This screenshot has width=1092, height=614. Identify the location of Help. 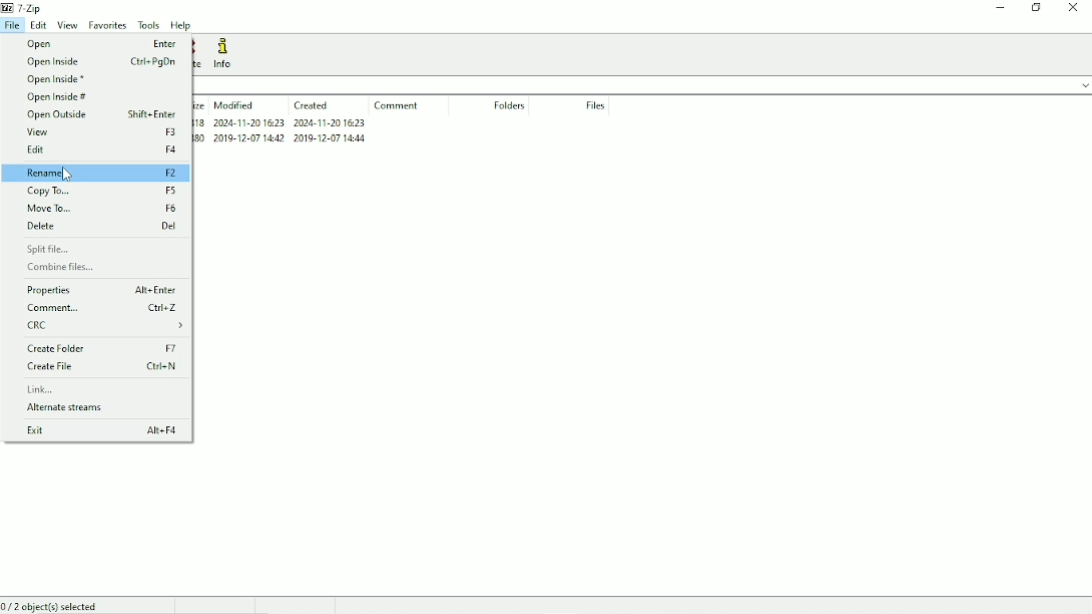
(182, 26).